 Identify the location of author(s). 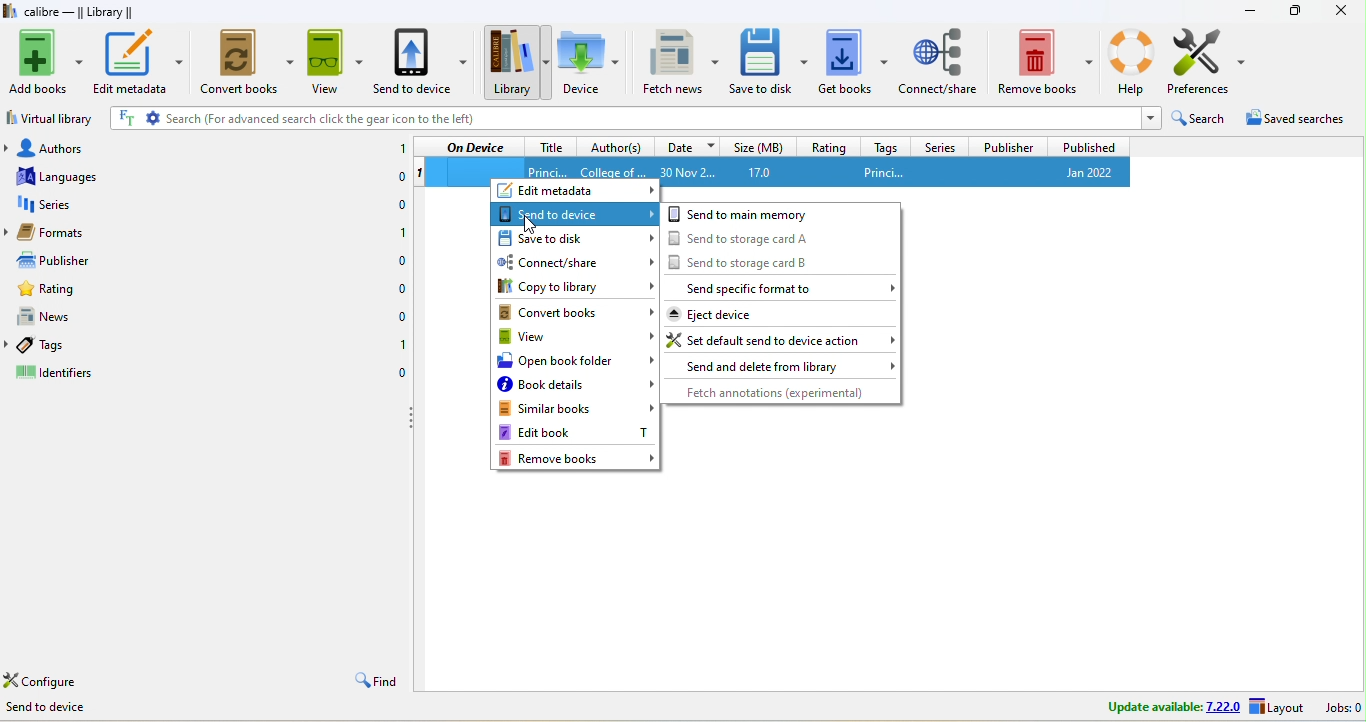
(616, 146).